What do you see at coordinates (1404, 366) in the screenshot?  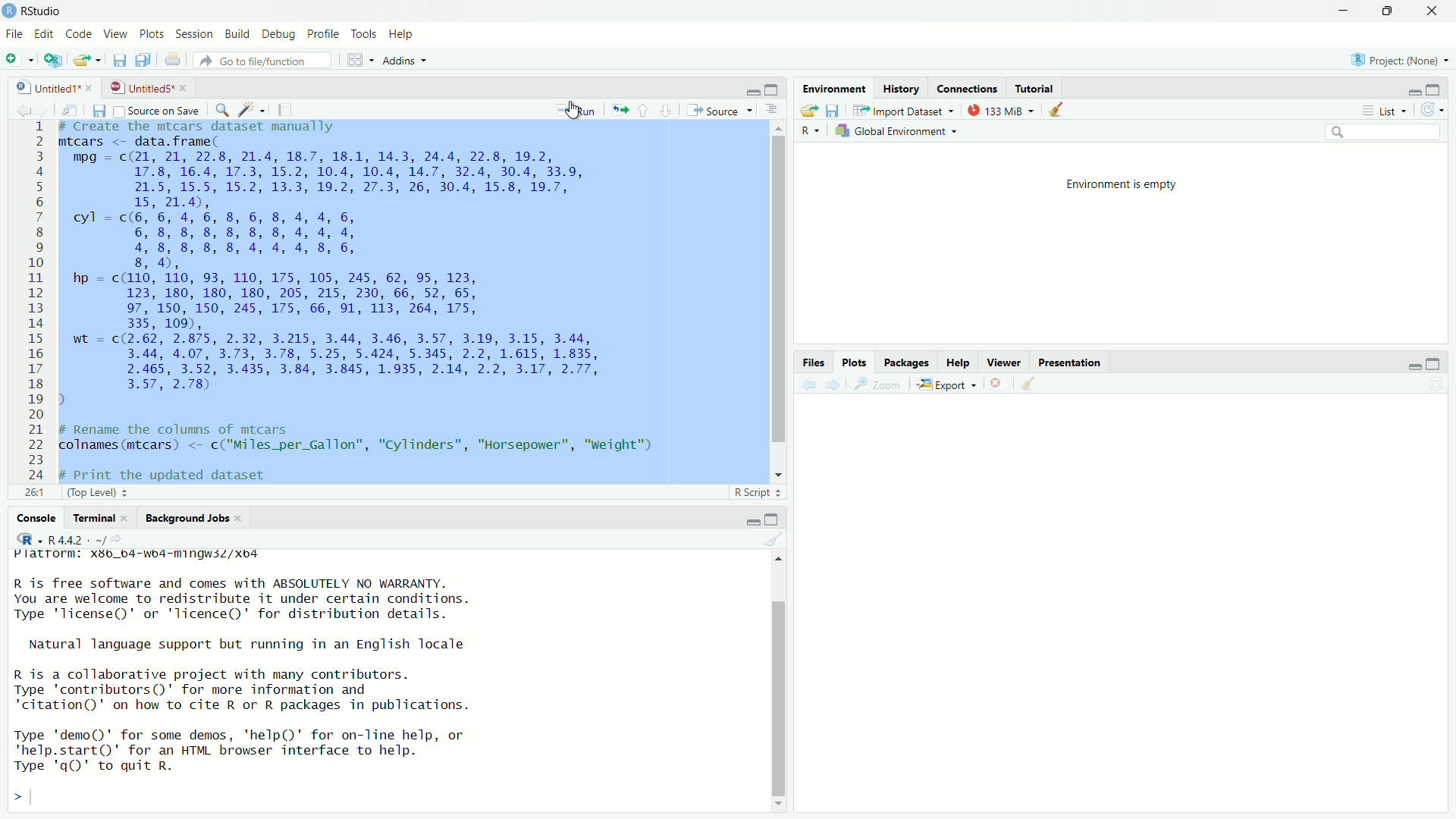 I see `minimise` at bounding box center [1404, 366].